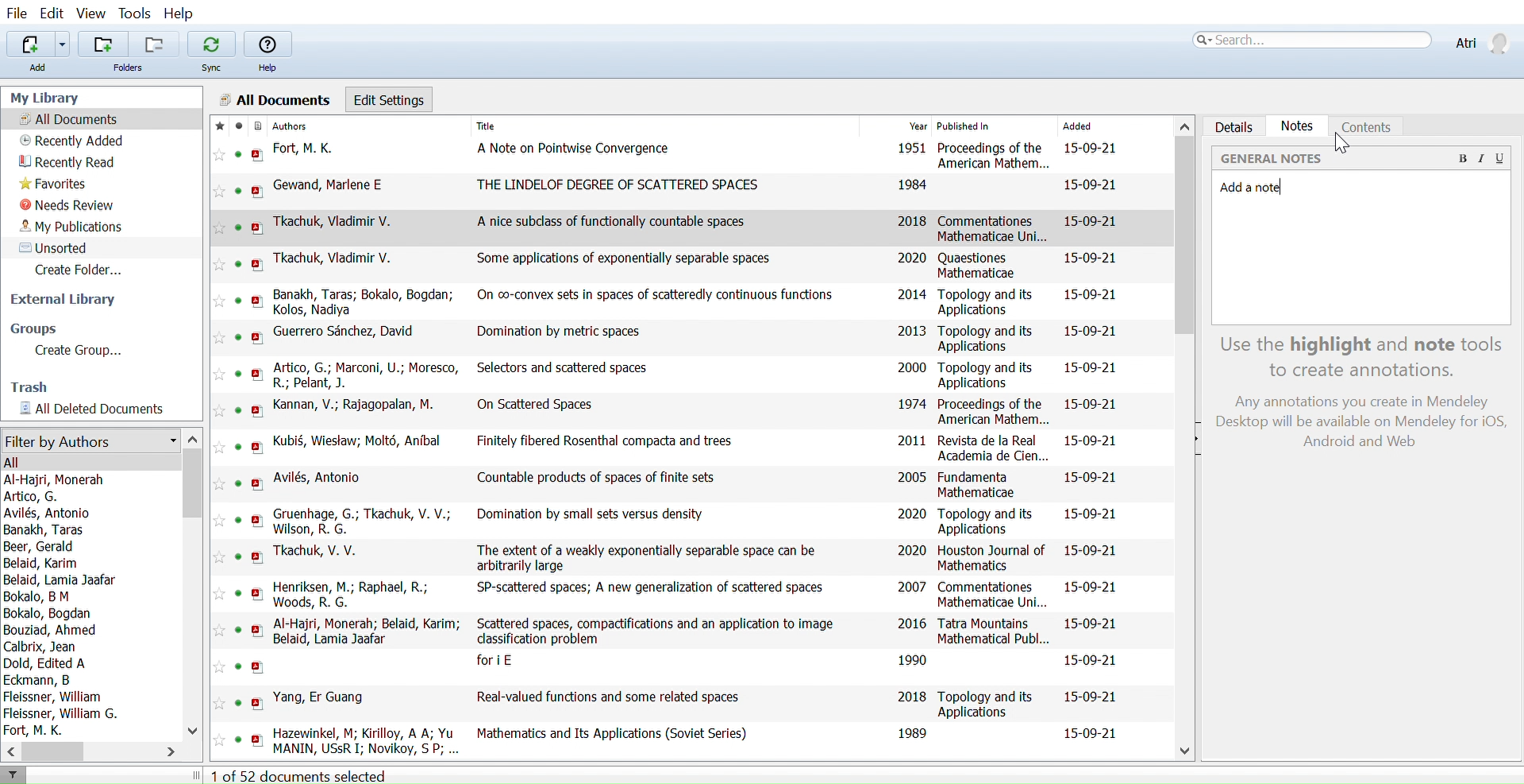 This screenshot has width=1524, height=784. What do you see at coordinates (370, 632) in the screenshot?
I see `Al-Hajri, Monerah; Belaid, Karim; Belaid, Lamia Jaafar` at bounding box center [370, 632].